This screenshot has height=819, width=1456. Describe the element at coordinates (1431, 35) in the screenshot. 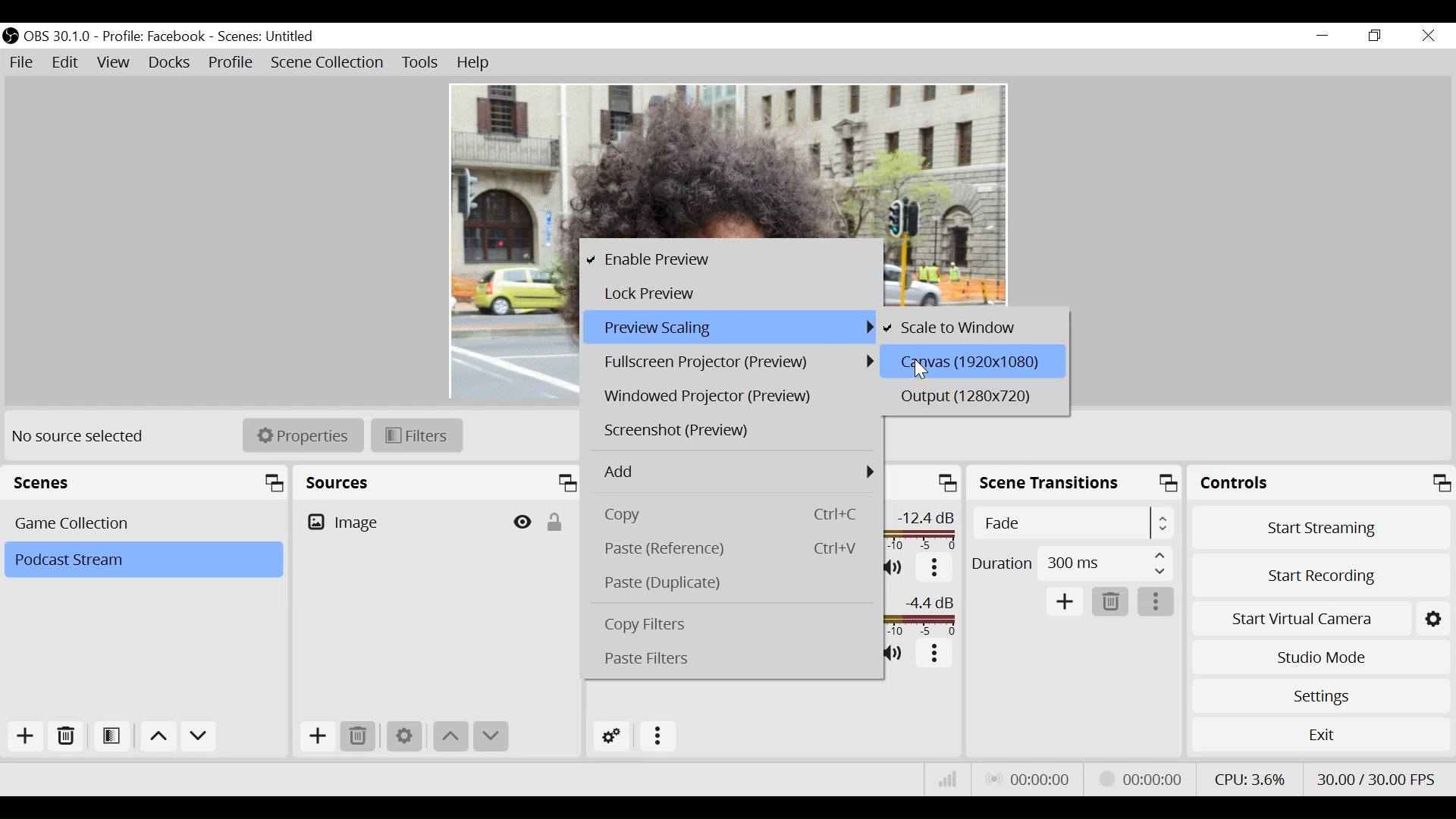

I see `Close` at that location.